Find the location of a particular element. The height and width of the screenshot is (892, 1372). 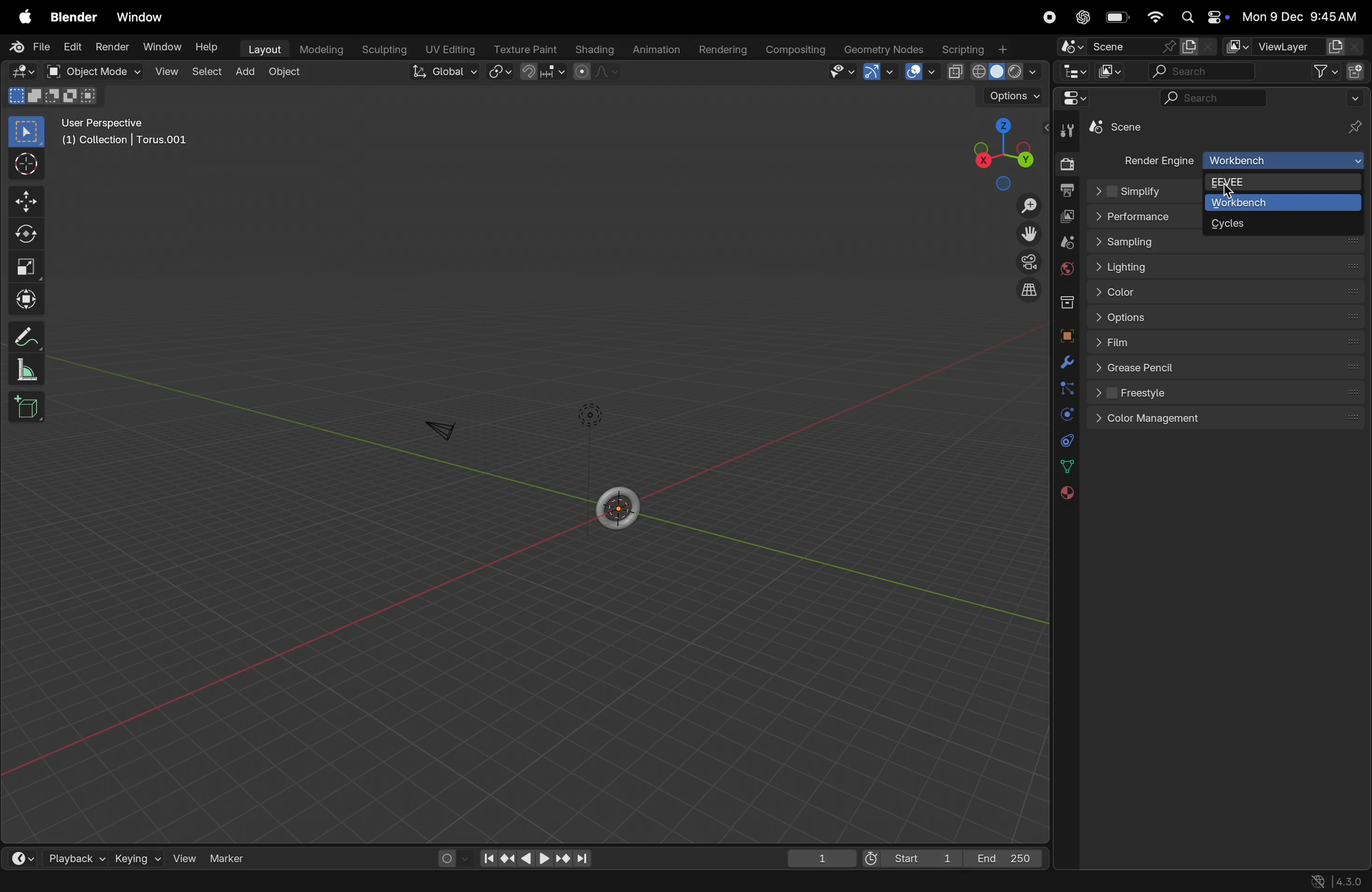

display mode is located at coordinates (1108, 73).